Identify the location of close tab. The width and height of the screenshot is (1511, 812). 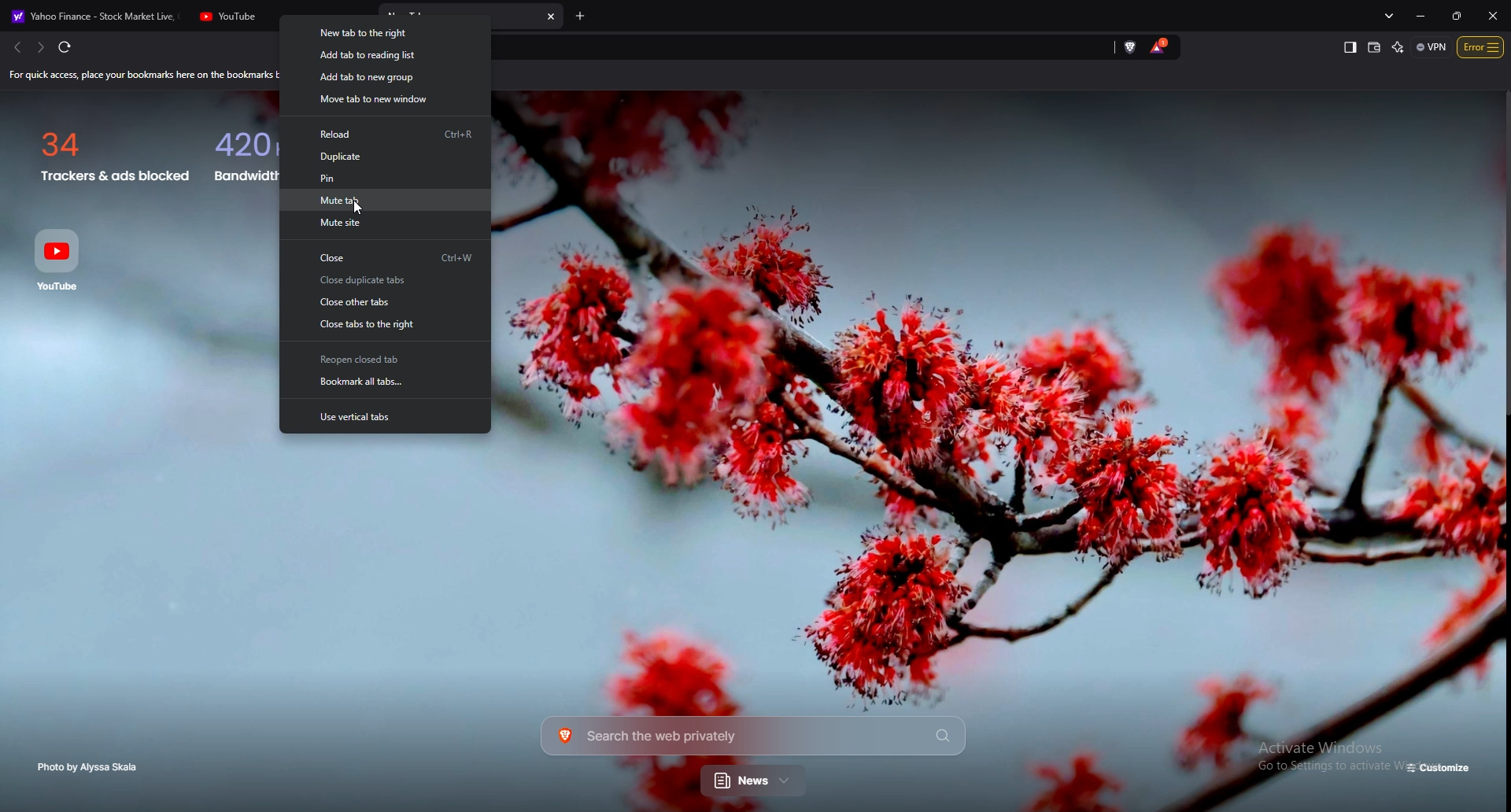
(552, 17).